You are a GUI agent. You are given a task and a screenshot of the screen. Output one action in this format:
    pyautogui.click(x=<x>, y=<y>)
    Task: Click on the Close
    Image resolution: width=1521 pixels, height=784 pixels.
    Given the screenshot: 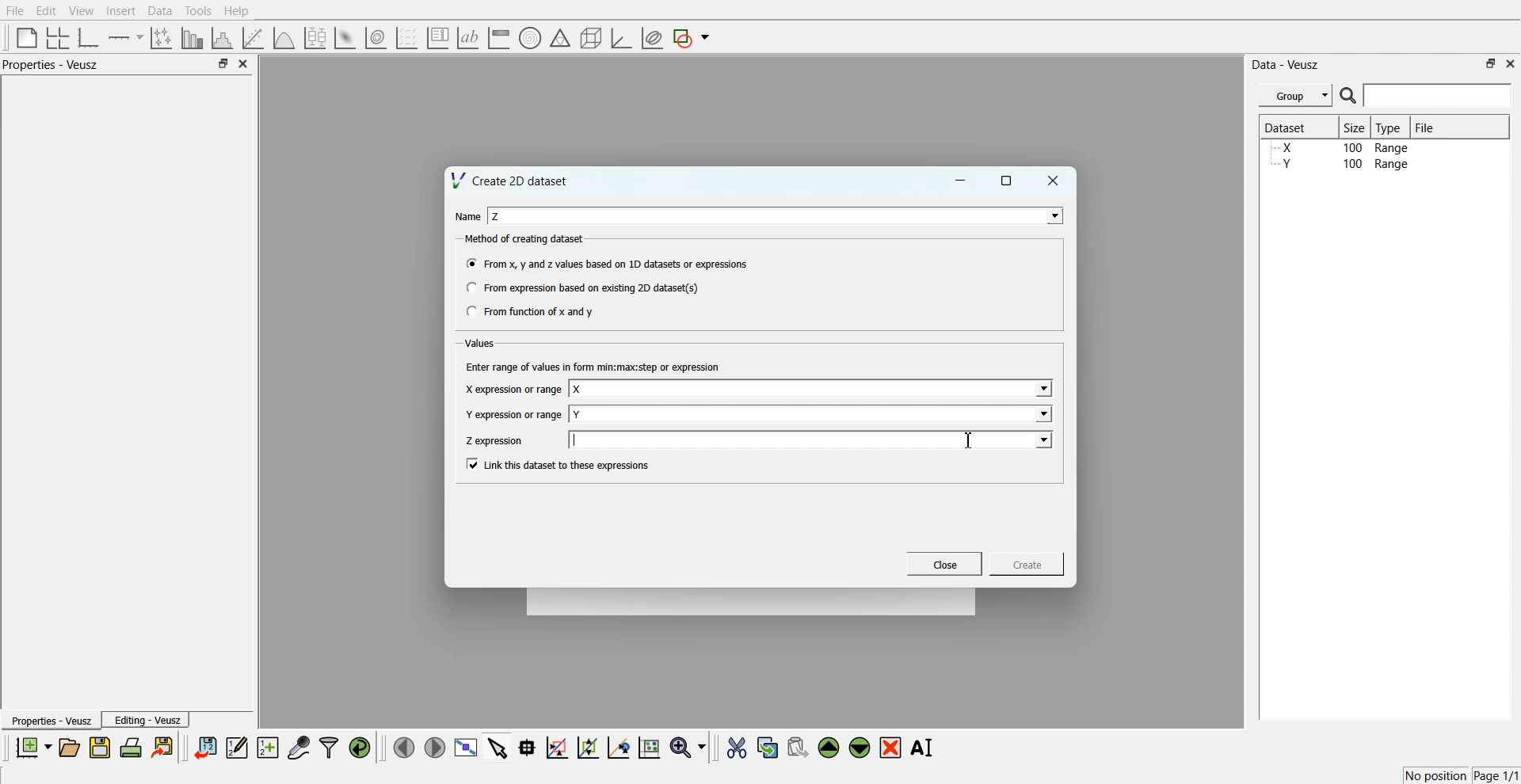 What is the action you would take?
    pyautogui.click(x=1511, y=63)
    